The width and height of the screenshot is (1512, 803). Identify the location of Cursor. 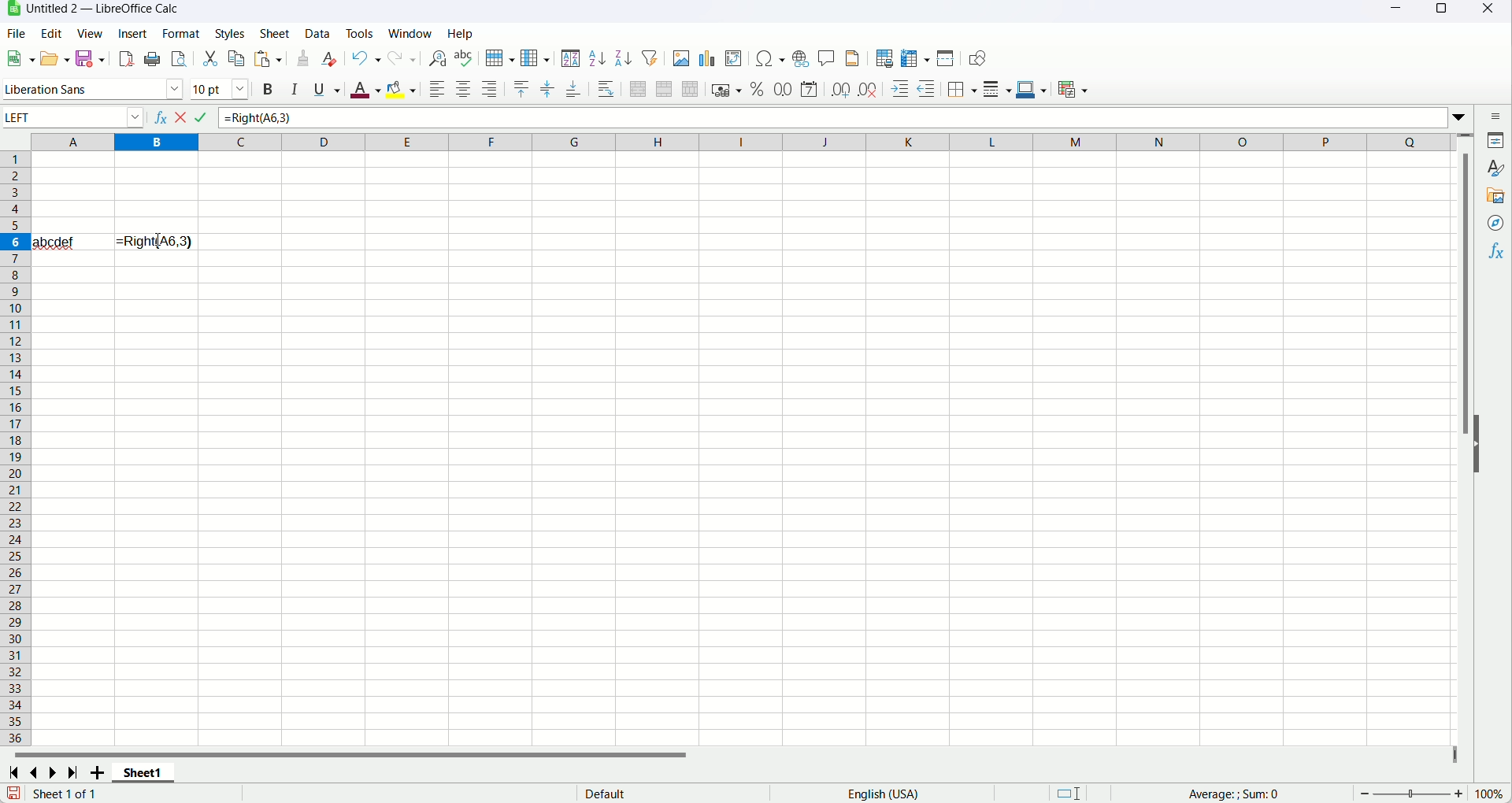
(158, 242).